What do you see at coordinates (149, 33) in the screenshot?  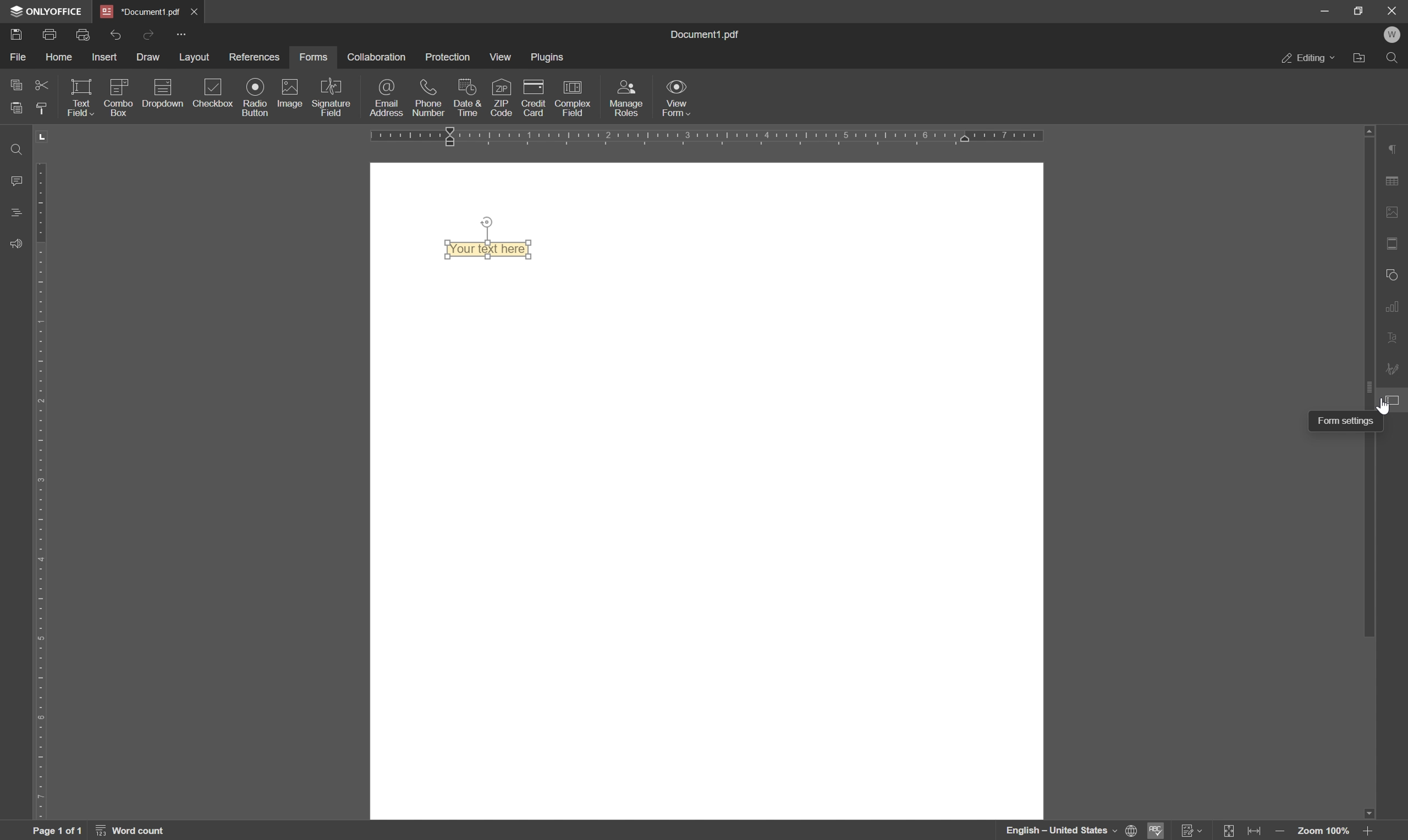 I see `redo` at bounding box center [149, 33].